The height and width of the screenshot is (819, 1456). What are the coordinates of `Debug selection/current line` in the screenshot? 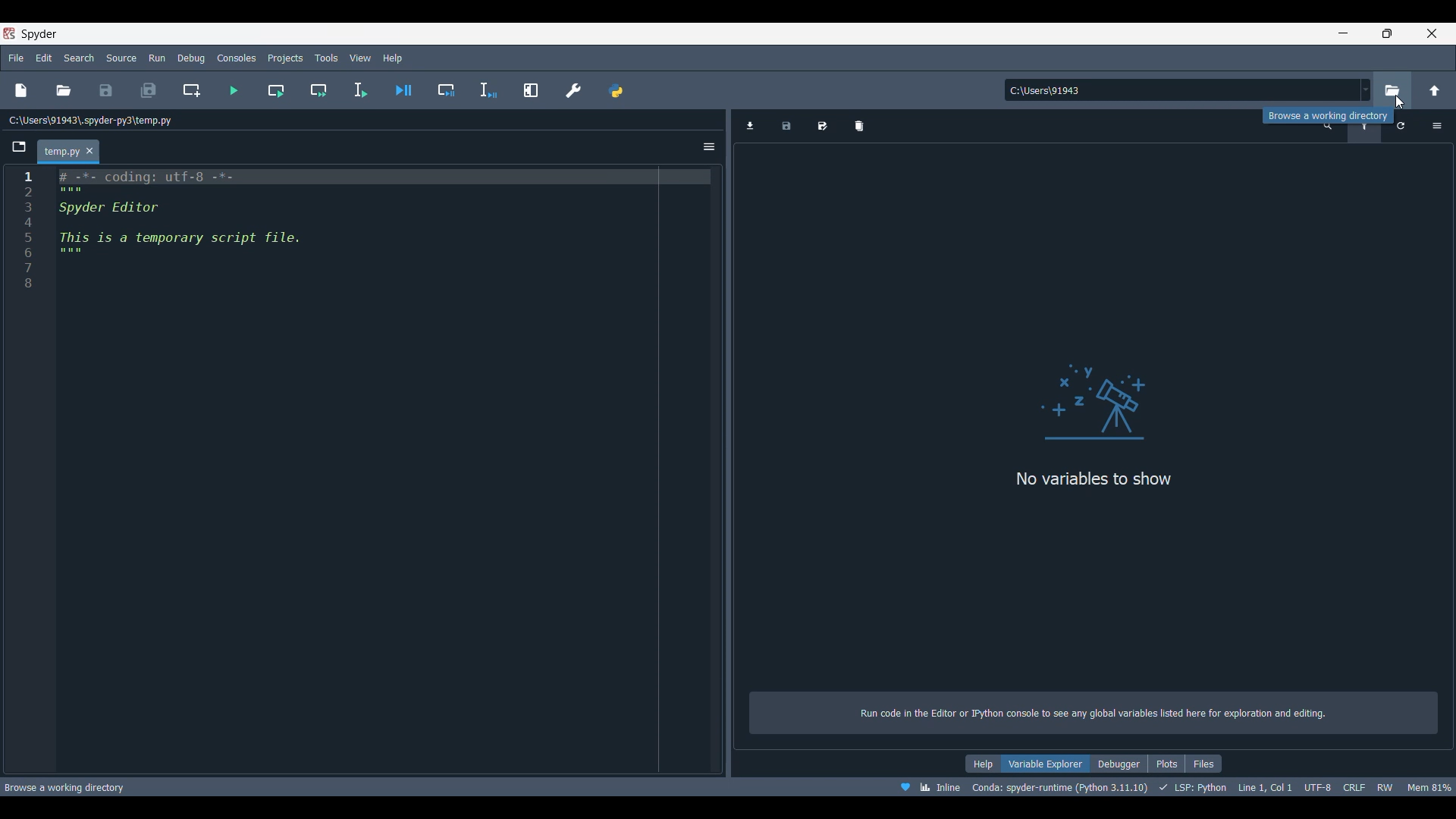 It's located at (488, 90).